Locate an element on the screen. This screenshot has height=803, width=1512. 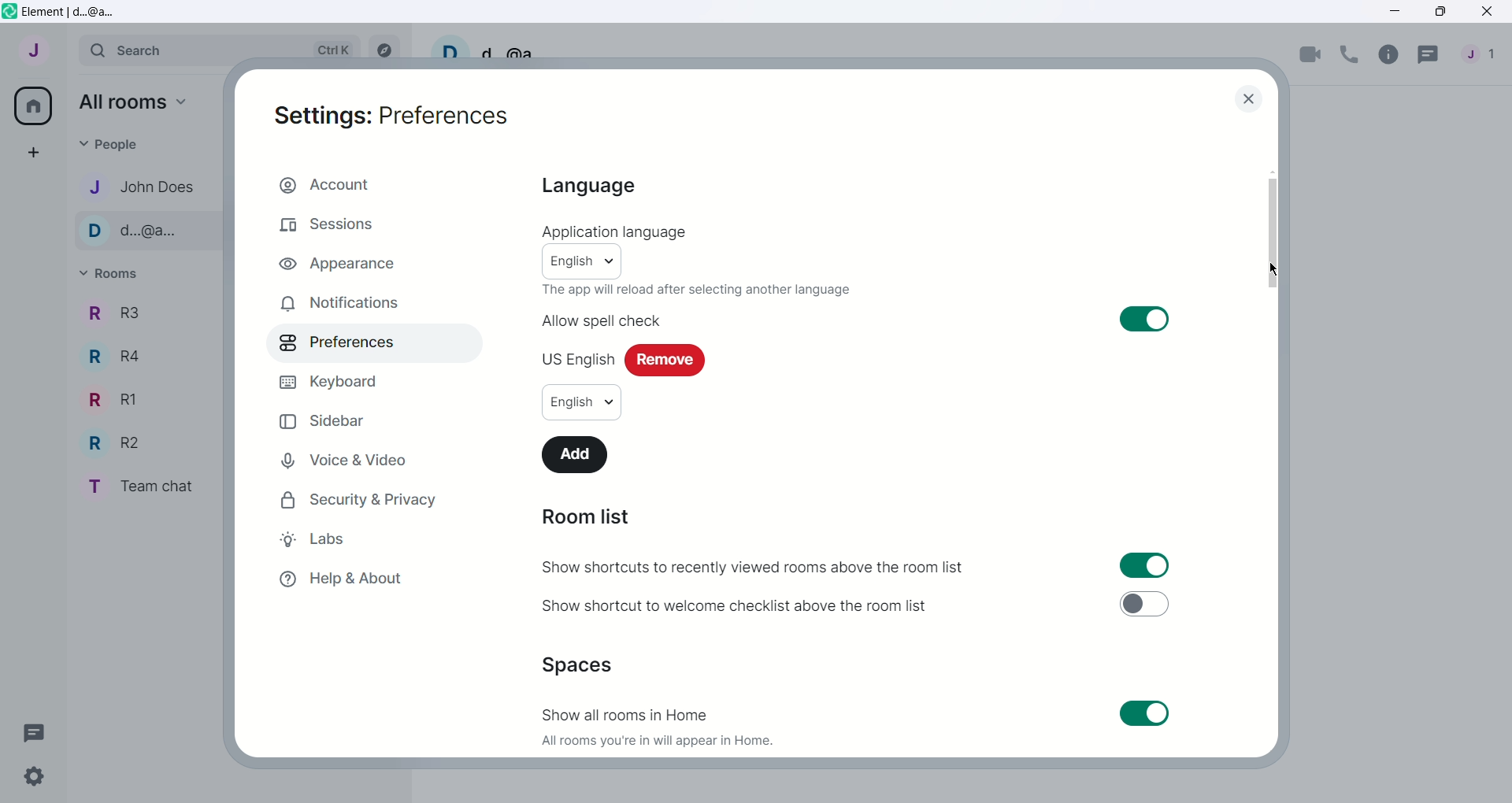
Toggle switch on for allow spell check is located at coordinates (1145, 319).